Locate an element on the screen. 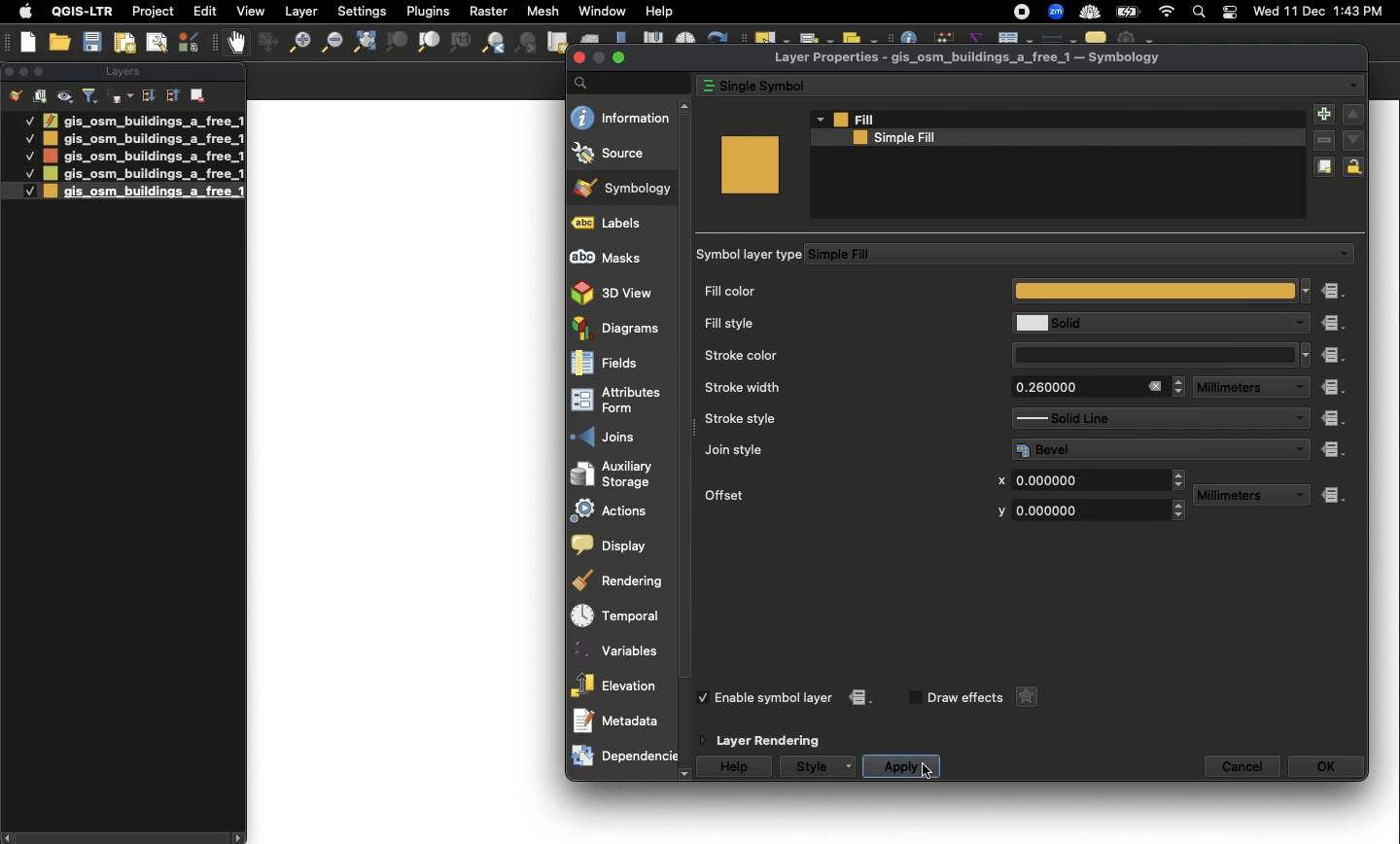 Image resolution: width=1400 pixels, height=844 pixels. Auxiliary storage is located at coordinates (623, 474).